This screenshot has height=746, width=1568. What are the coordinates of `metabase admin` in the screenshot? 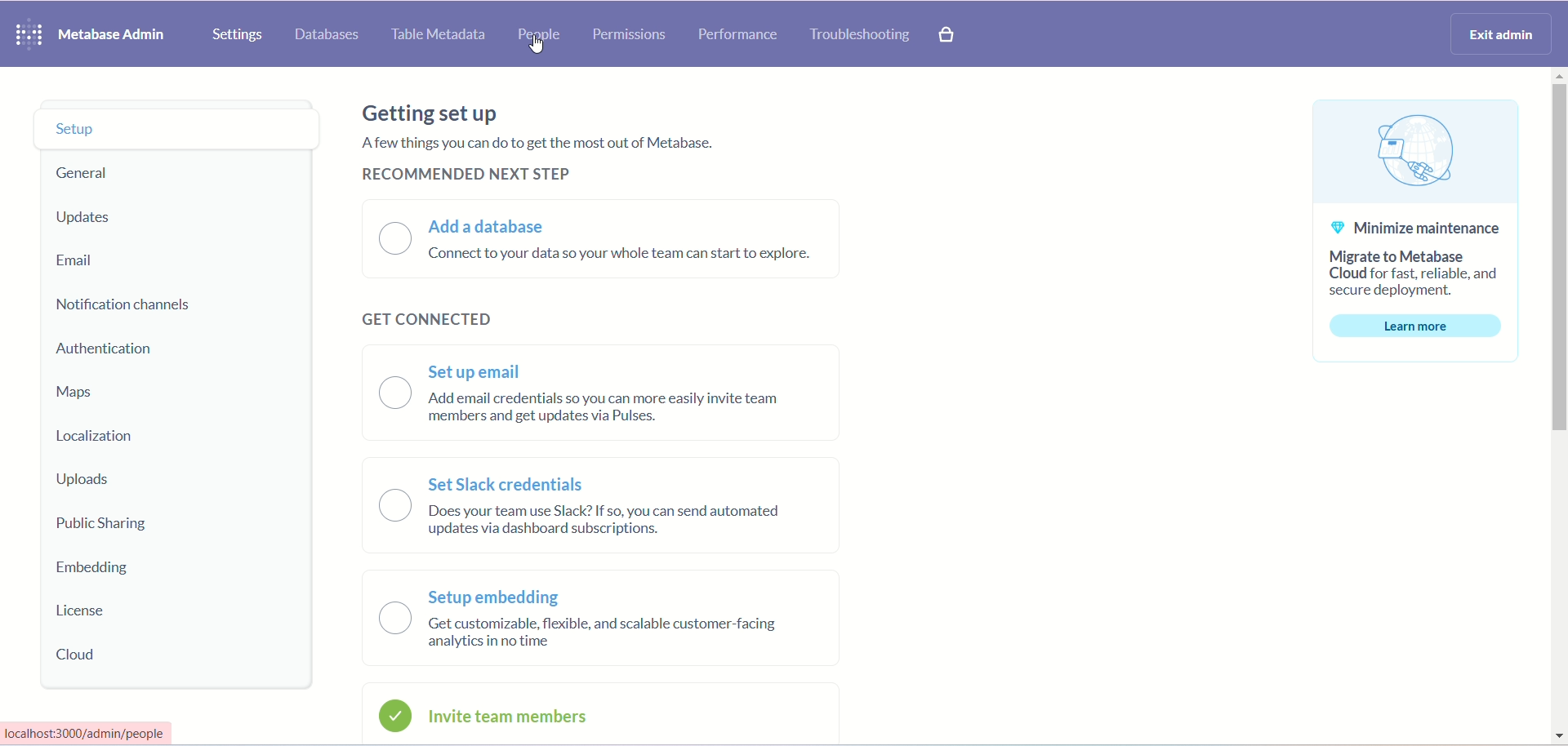 It's located at (118, 38).